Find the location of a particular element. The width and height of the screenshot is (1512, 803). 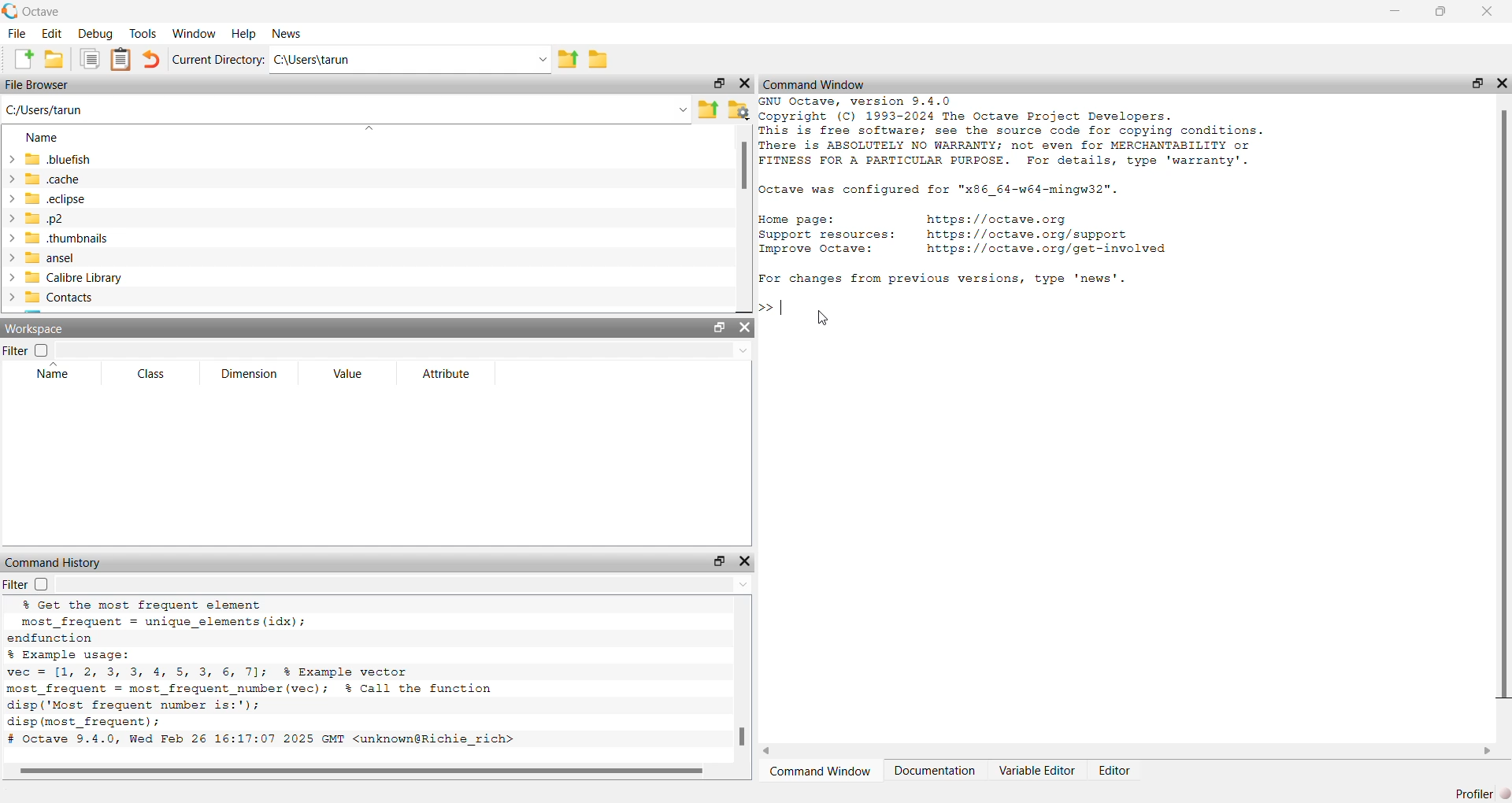

vertical scroll bar is located at coordinates (745, 220).